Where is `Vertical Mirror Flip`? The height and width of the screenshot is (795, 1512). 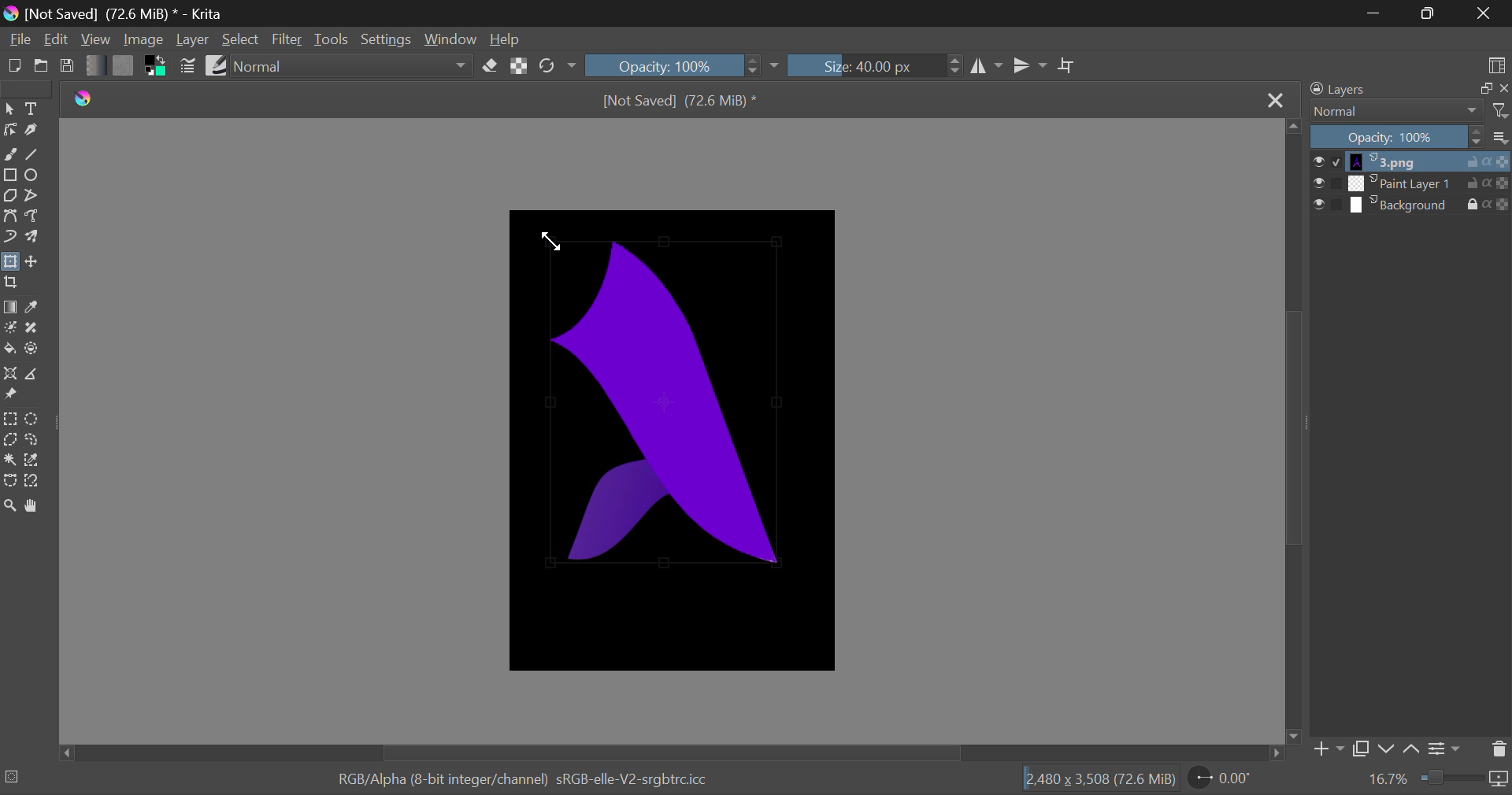 Vertical Mirror Flip is located at coordinates (988, 66).